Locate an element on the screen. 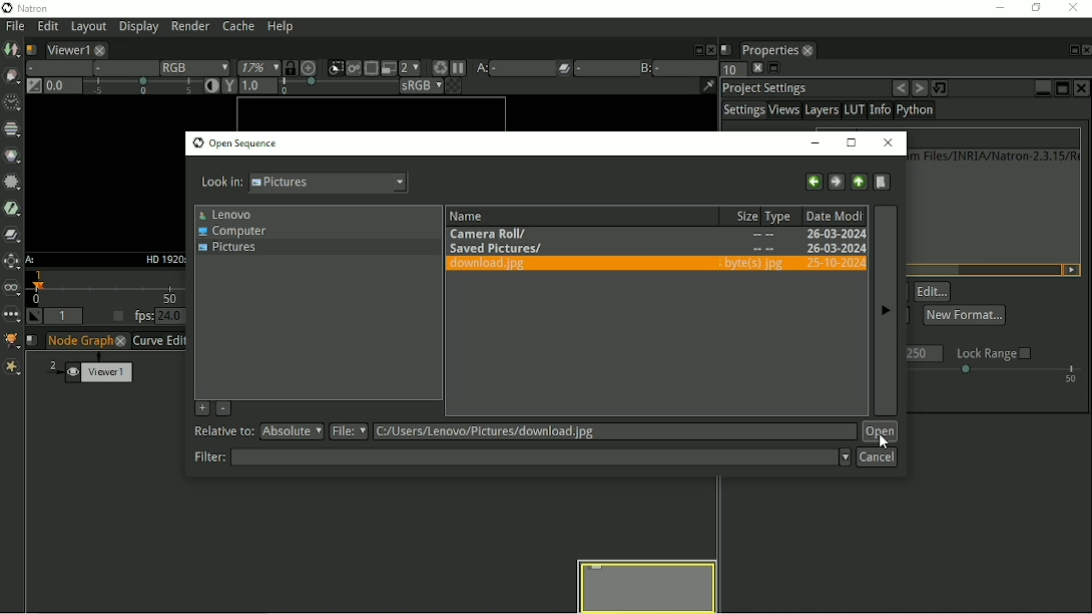  Time is located at coordinates (10, 101).